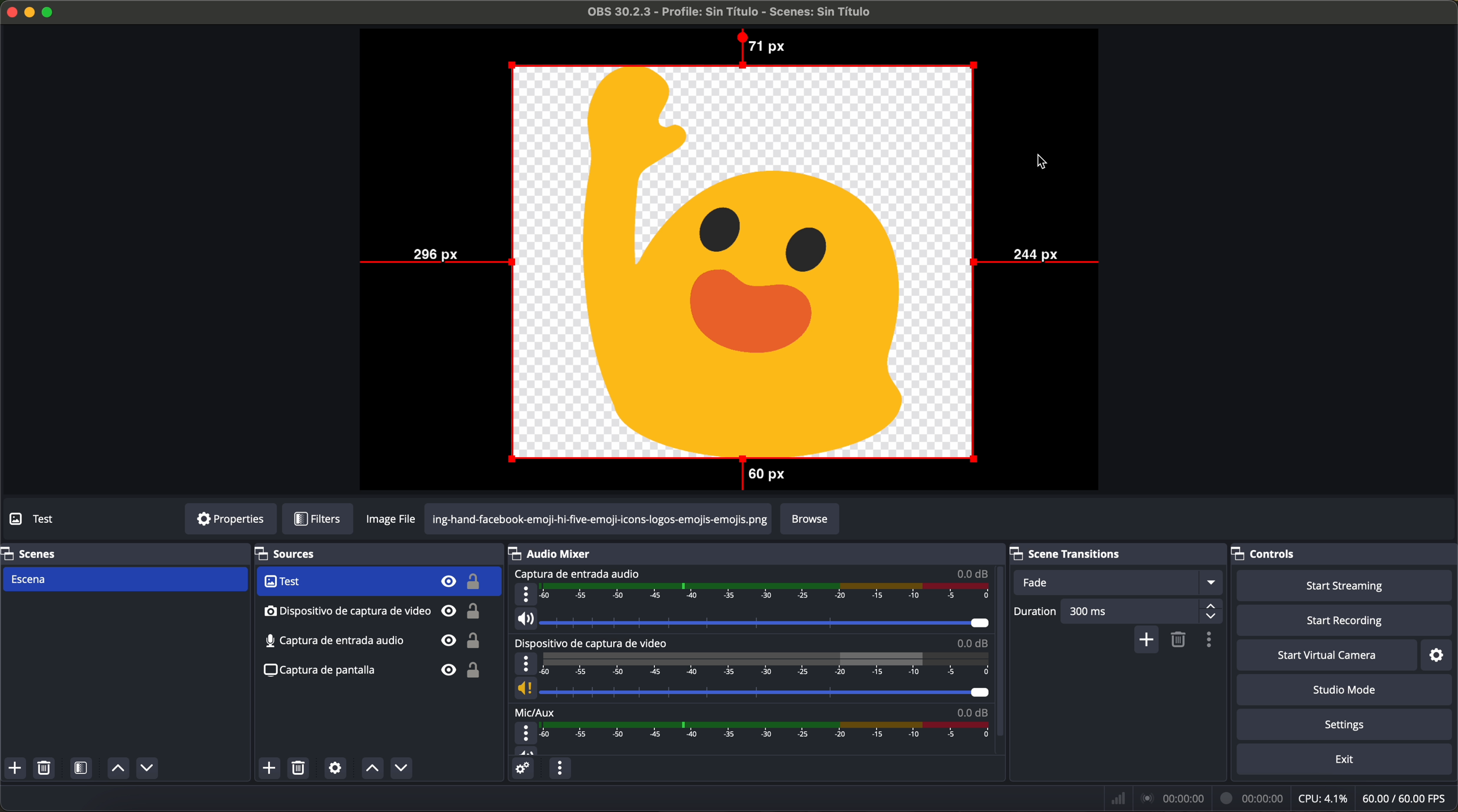 The width and height of the screenshot is (1458, 812). I want to click on no source selected, so click(59, 518).